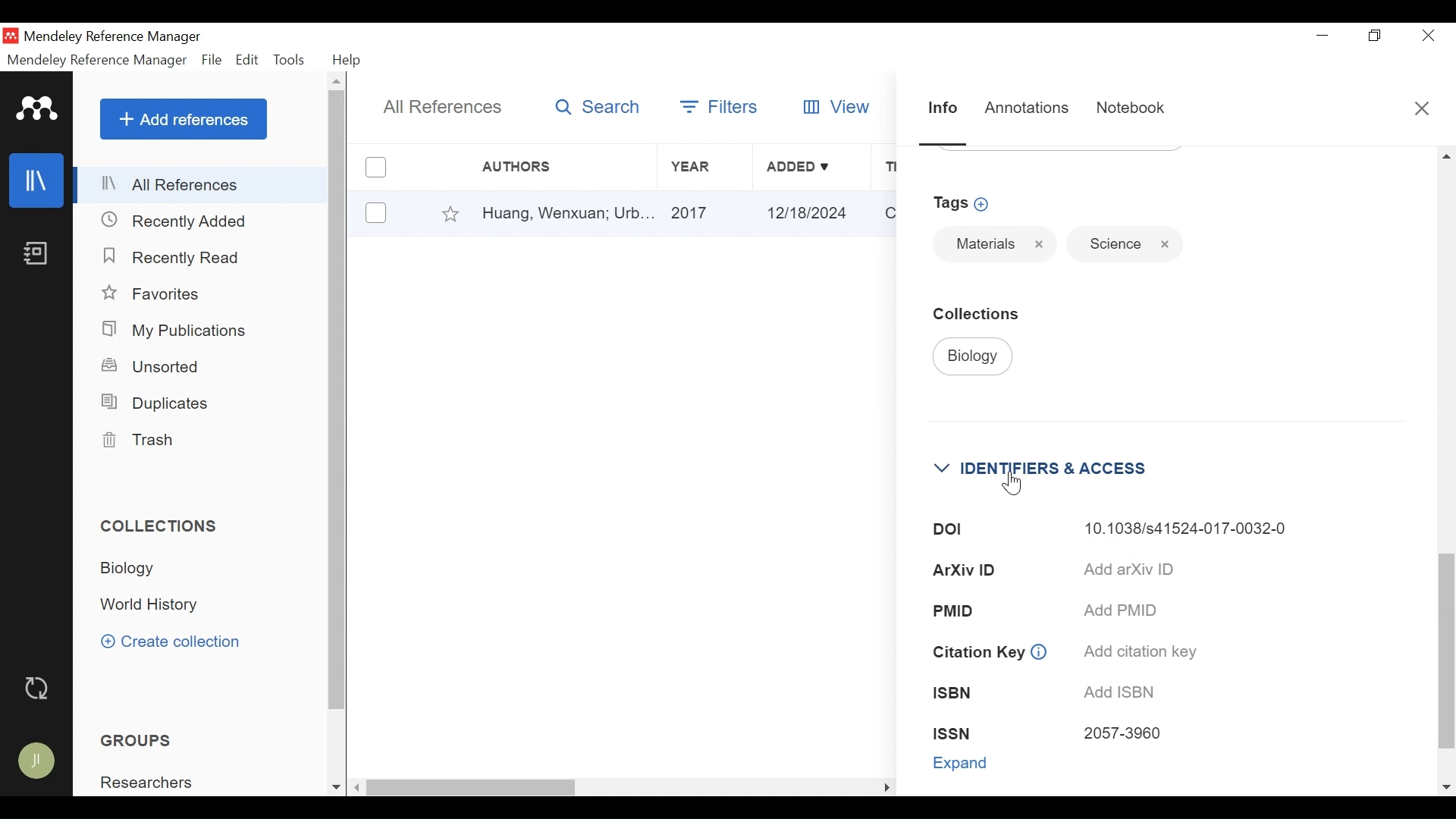 The height and width of the screenshot is (819, 1456). What do you see at coordinates (349, 60) in the screenshot?
I see `Help` at bounding box center [349, 60].